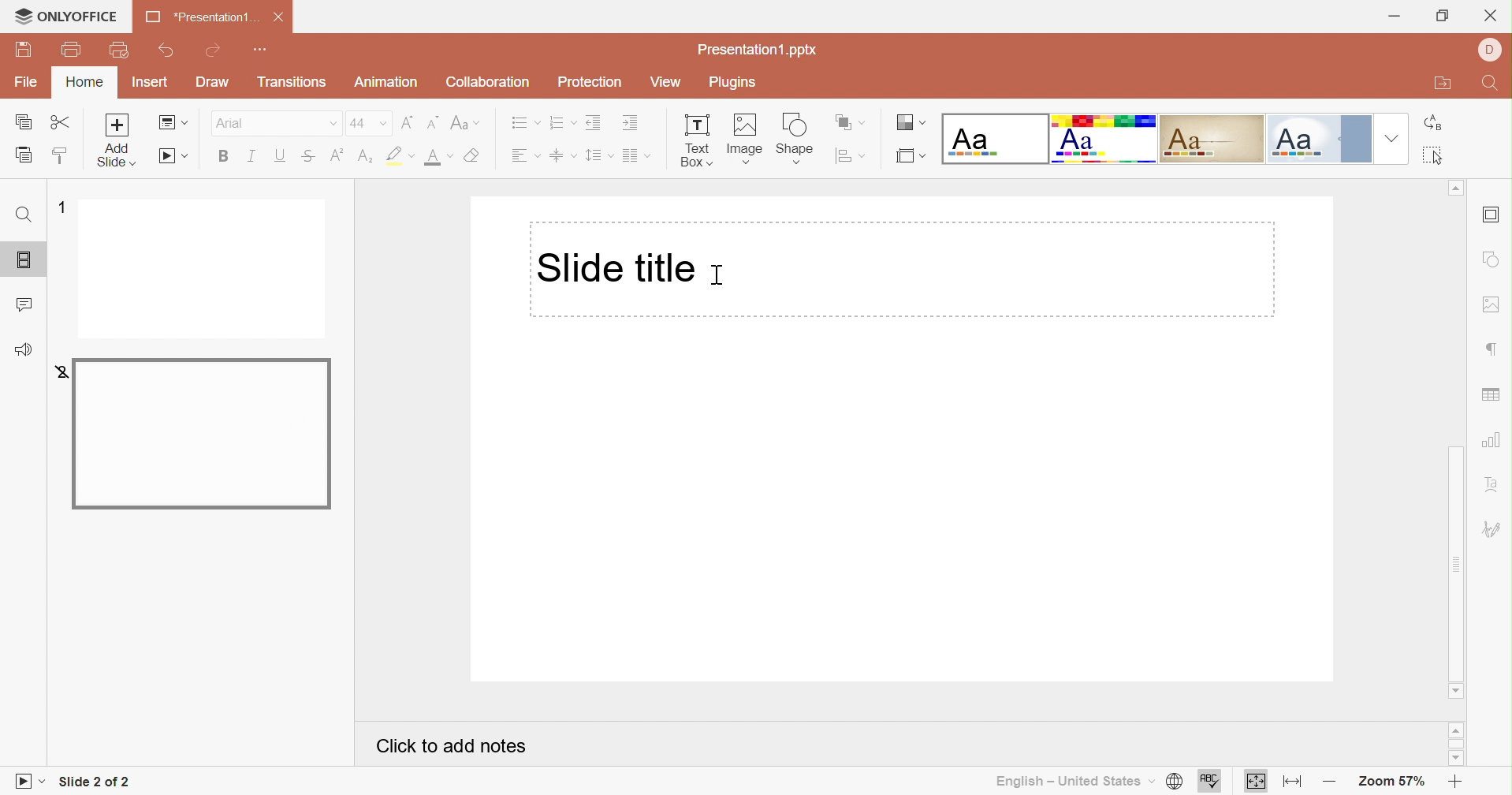 The height and width of the screenshot is (795, 1512). Describe the element at coordinates (1393, 139) in the screenshot. I see `Drop down` at that location.